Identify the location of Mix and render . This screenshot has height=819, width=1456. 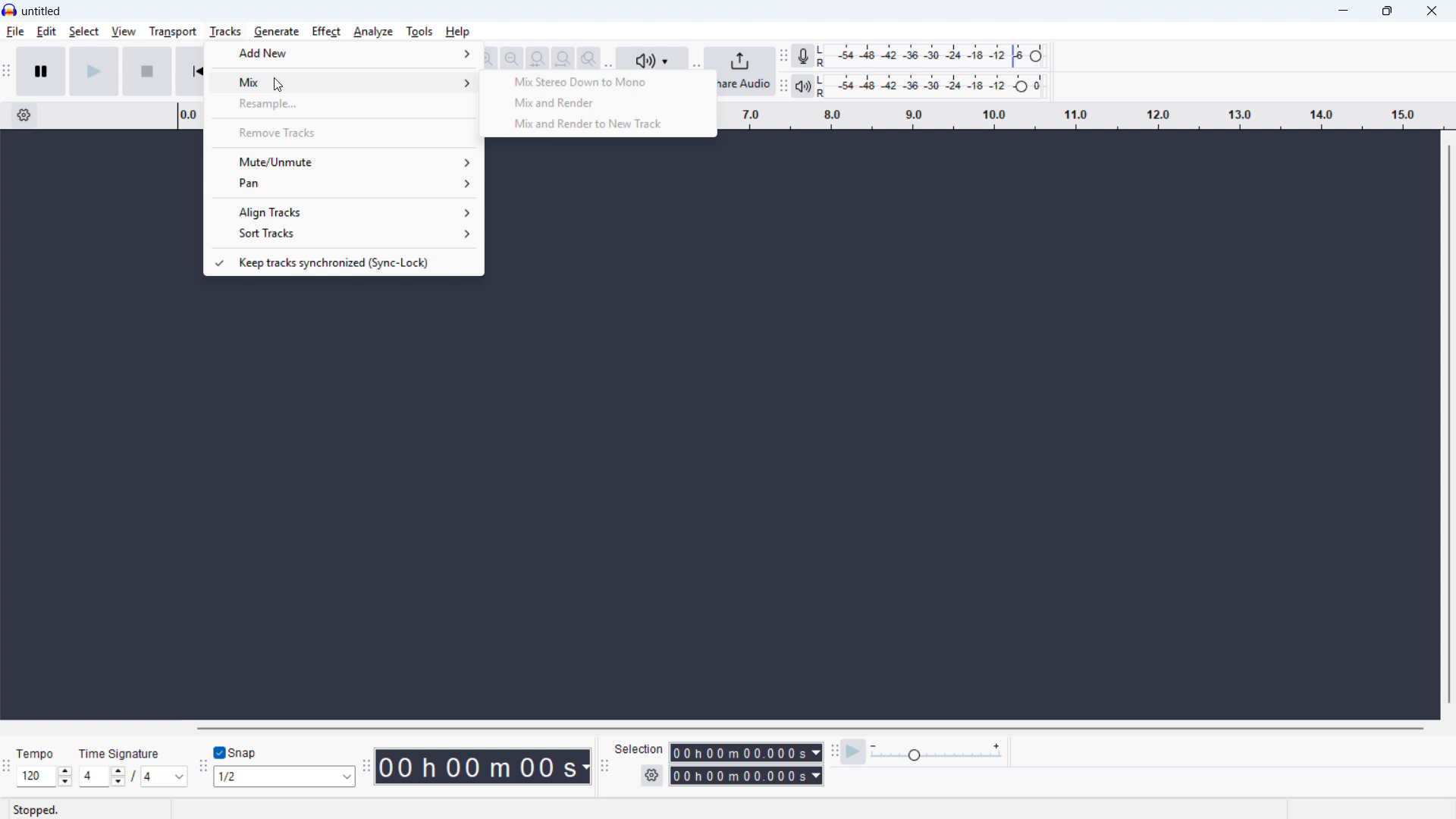
(597, 102).